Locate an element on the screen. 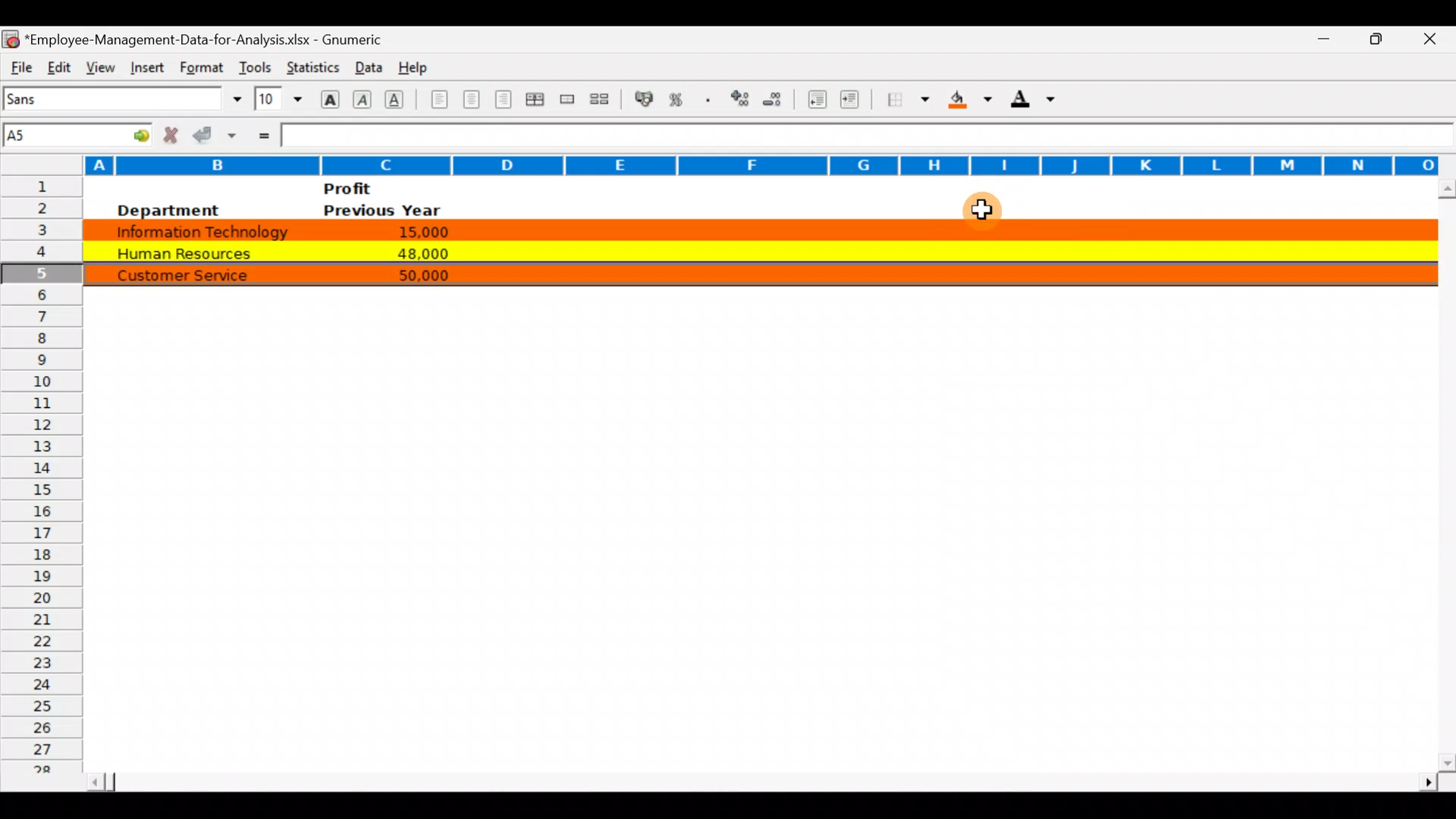 Image resolution: width=1456 pixels, height=819 pixels. *Employee-Management-Data-for-Analysis.xlsx - Gnumeric is located at coordinates (213, 37).